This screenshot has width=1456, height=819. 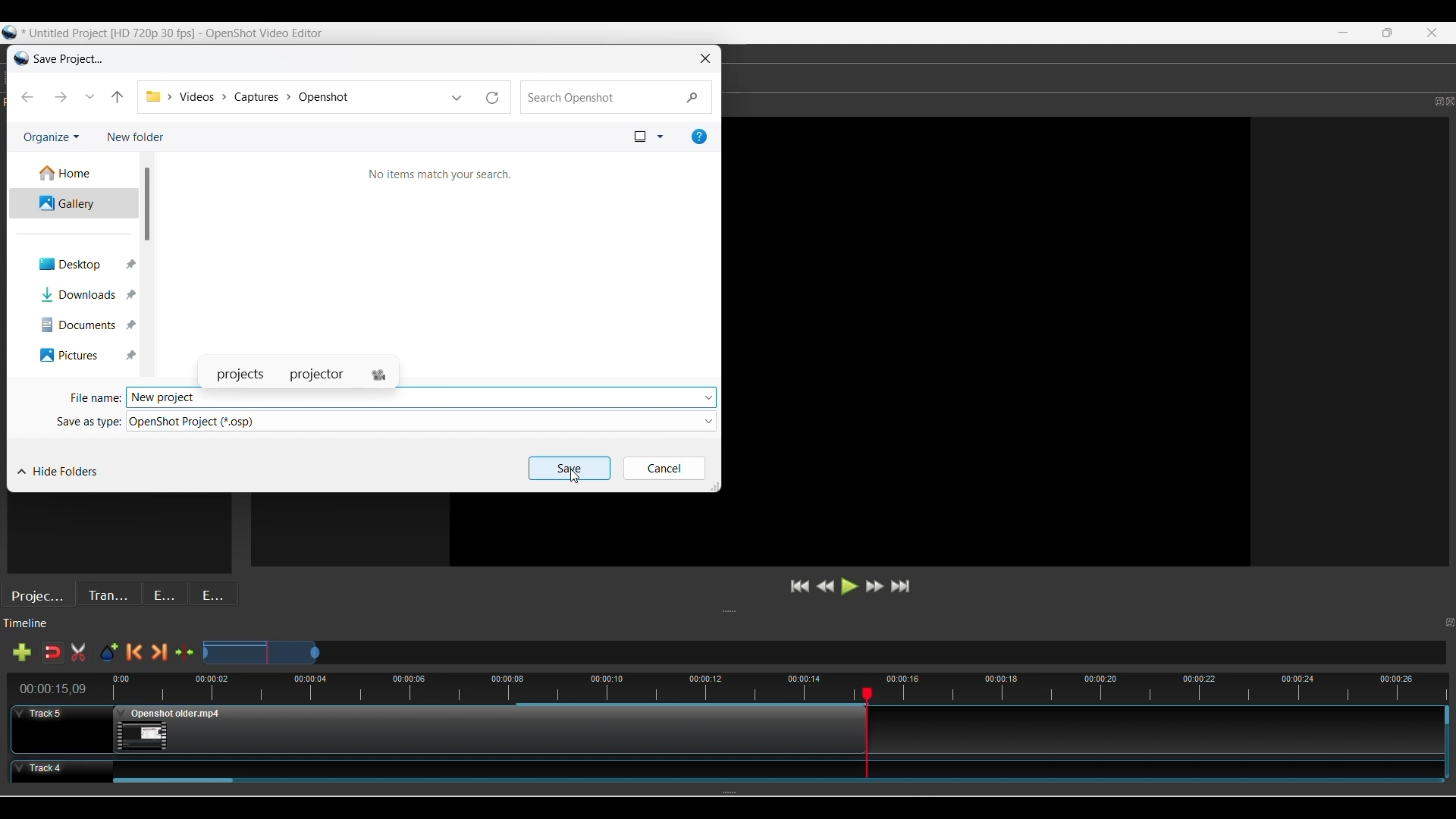 What do you see at coordinates (9, 36) in the screenshot?
I see `logo` at bounding box center [9, 36].